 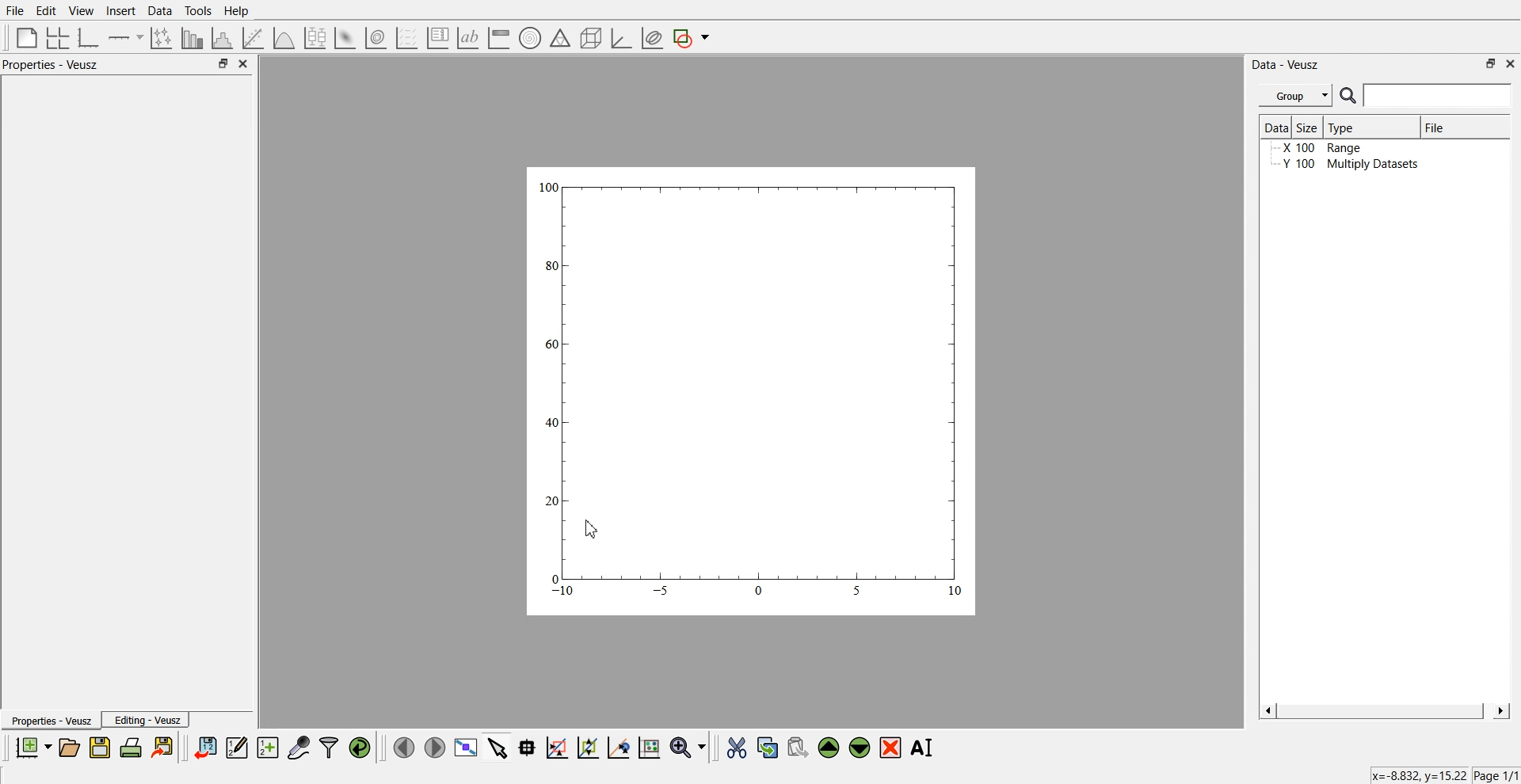 What do you see at coordinates (284, 36) in the screenshot?
I see `plot a function on a graph` at bounding box center [284, 36].